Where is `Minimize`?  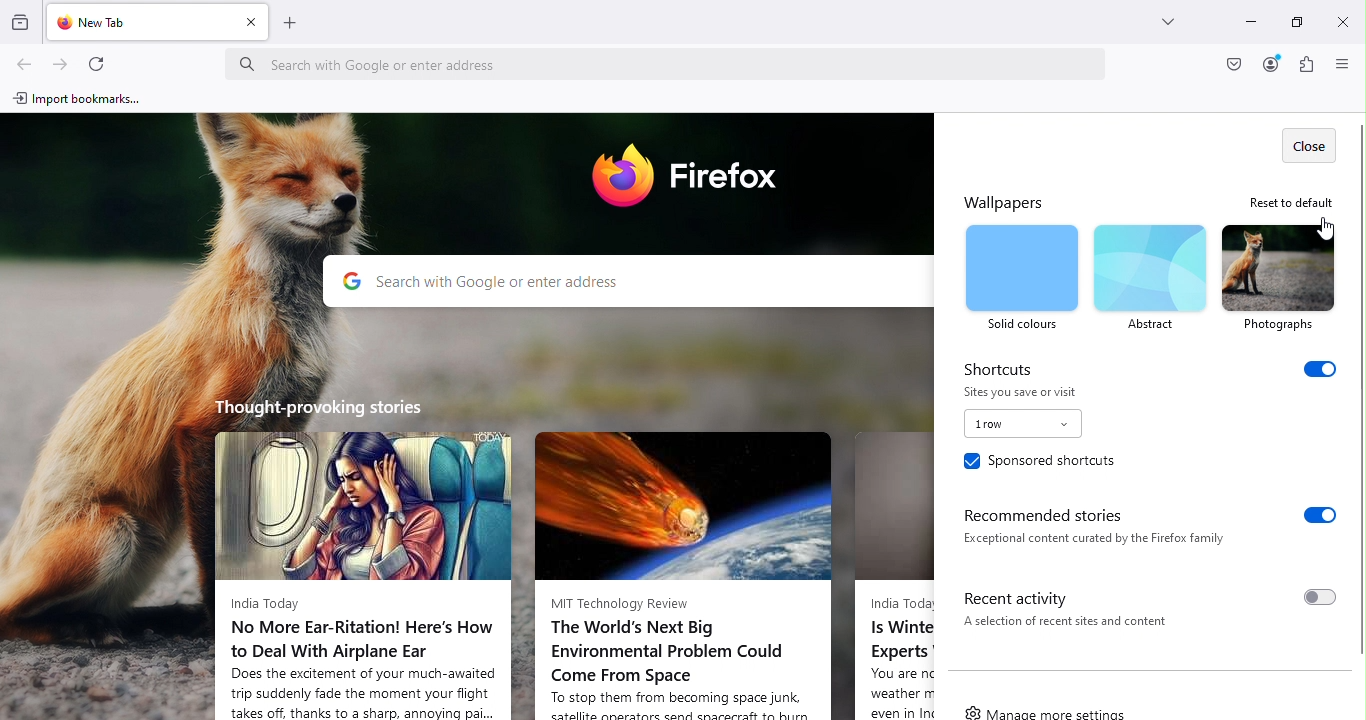 Minimize is located at coordinates (1251, 21).